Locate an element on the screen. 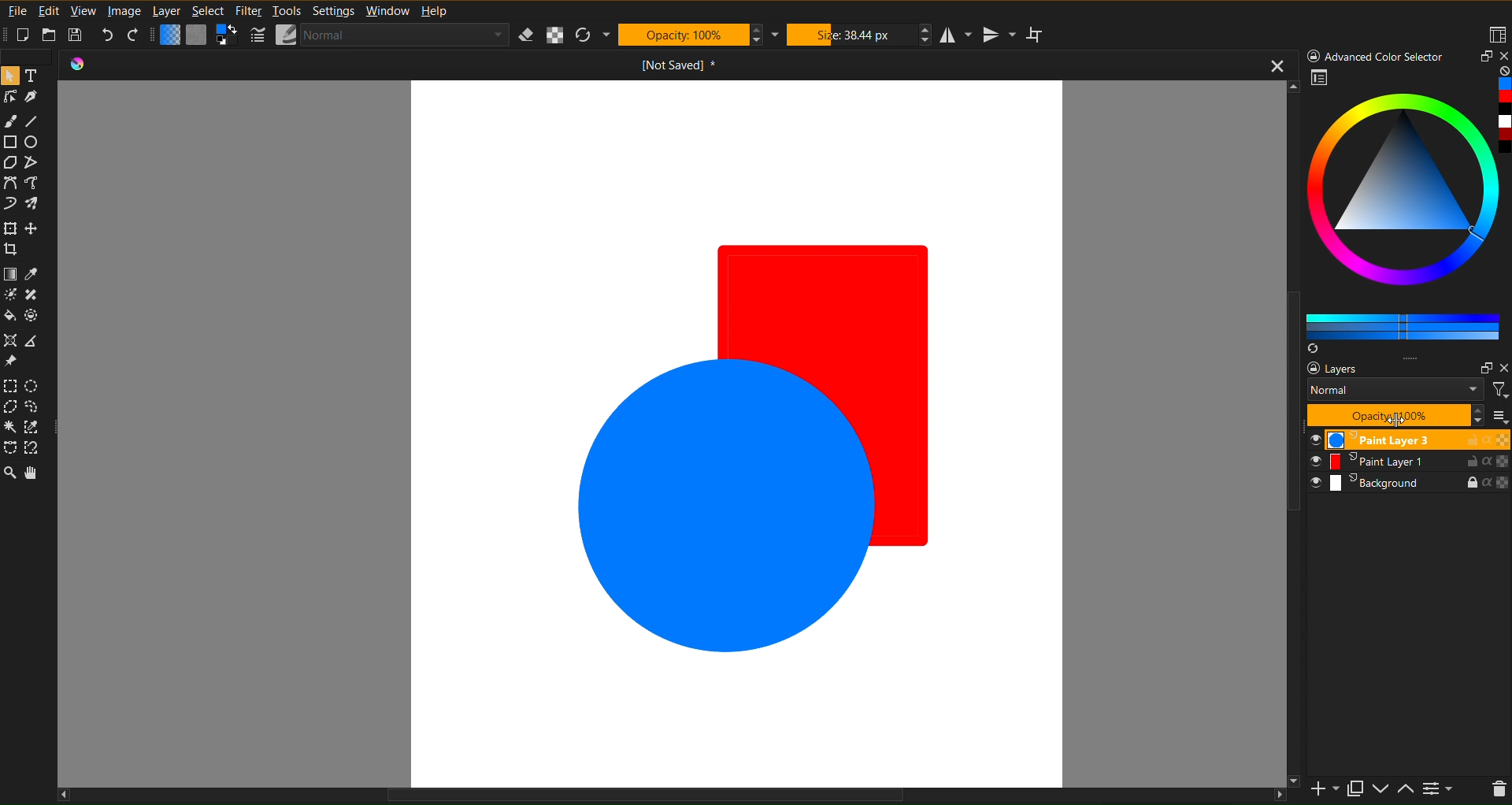  Advanced Color Selector is located at coordinates (1374, 55).